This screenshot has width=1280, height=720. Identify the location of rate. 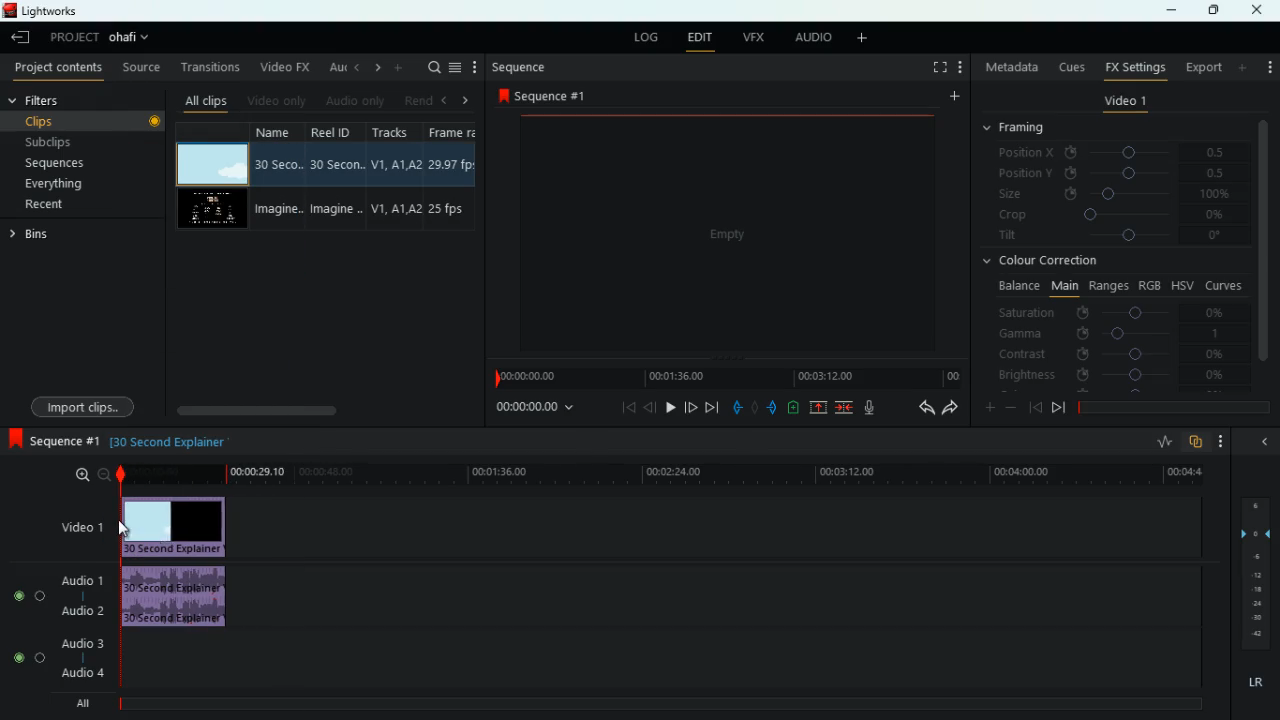
(1159, 442).